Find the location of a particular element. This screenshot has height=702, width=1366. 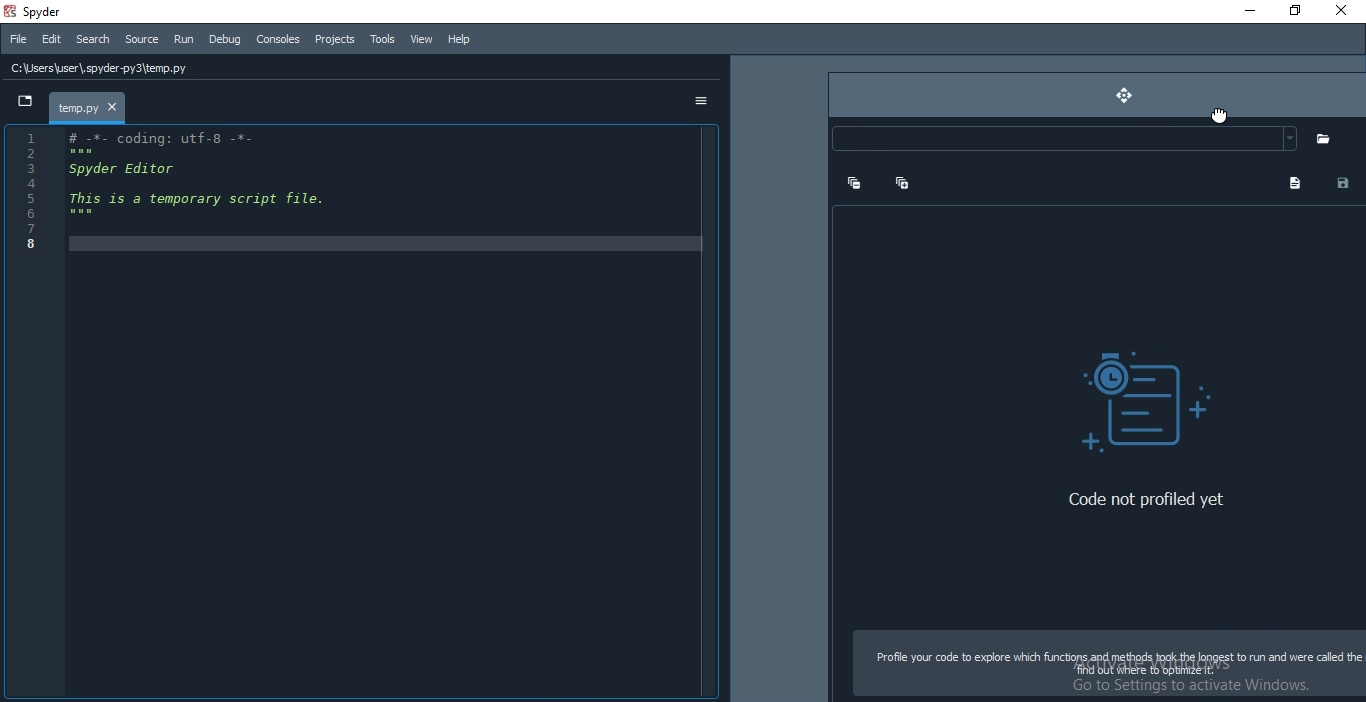

Debug is located at coordinates (225, 40).